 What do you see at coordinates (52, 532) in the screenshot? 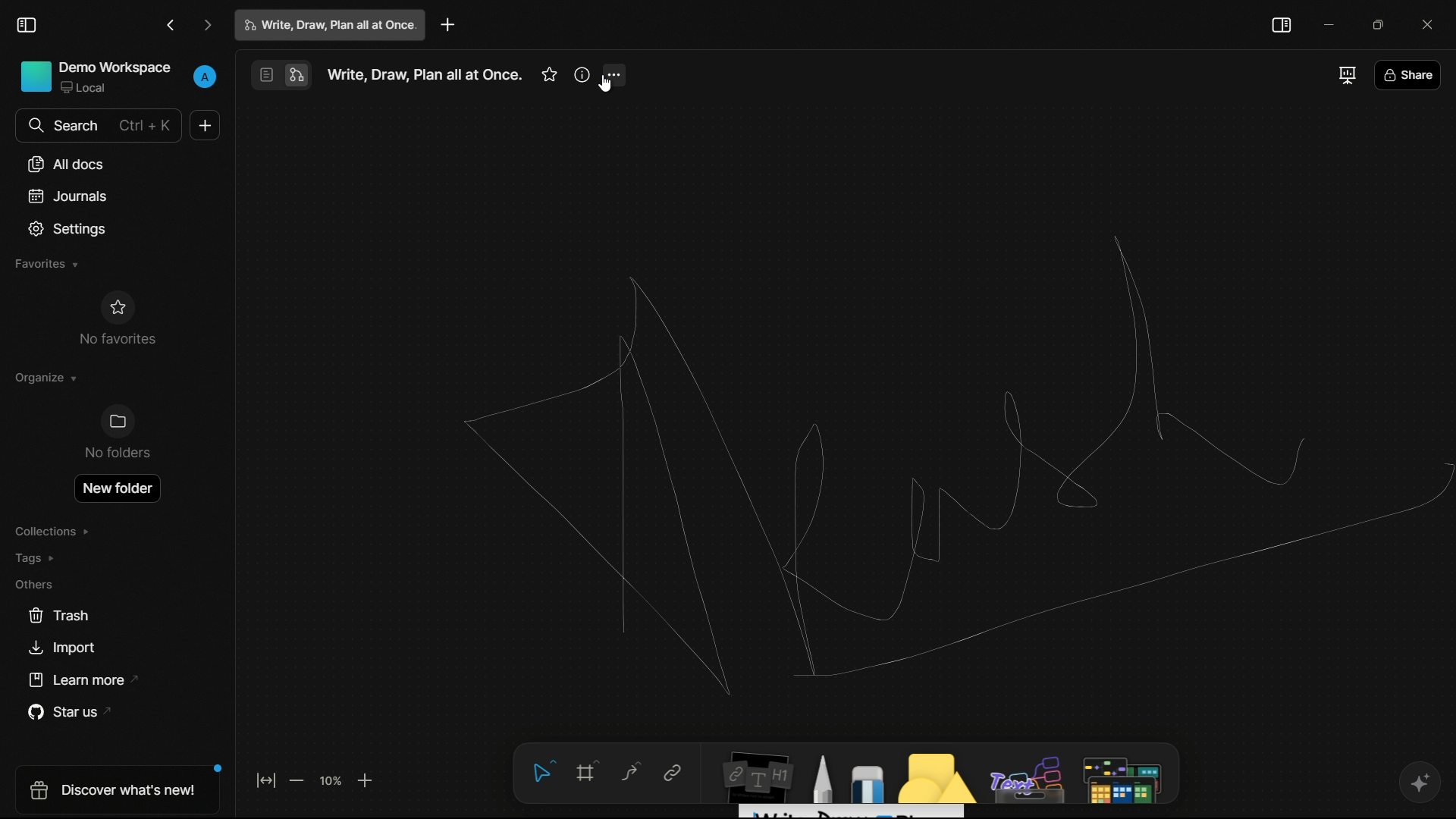
I see `collections` at bounding box center [52, 532].